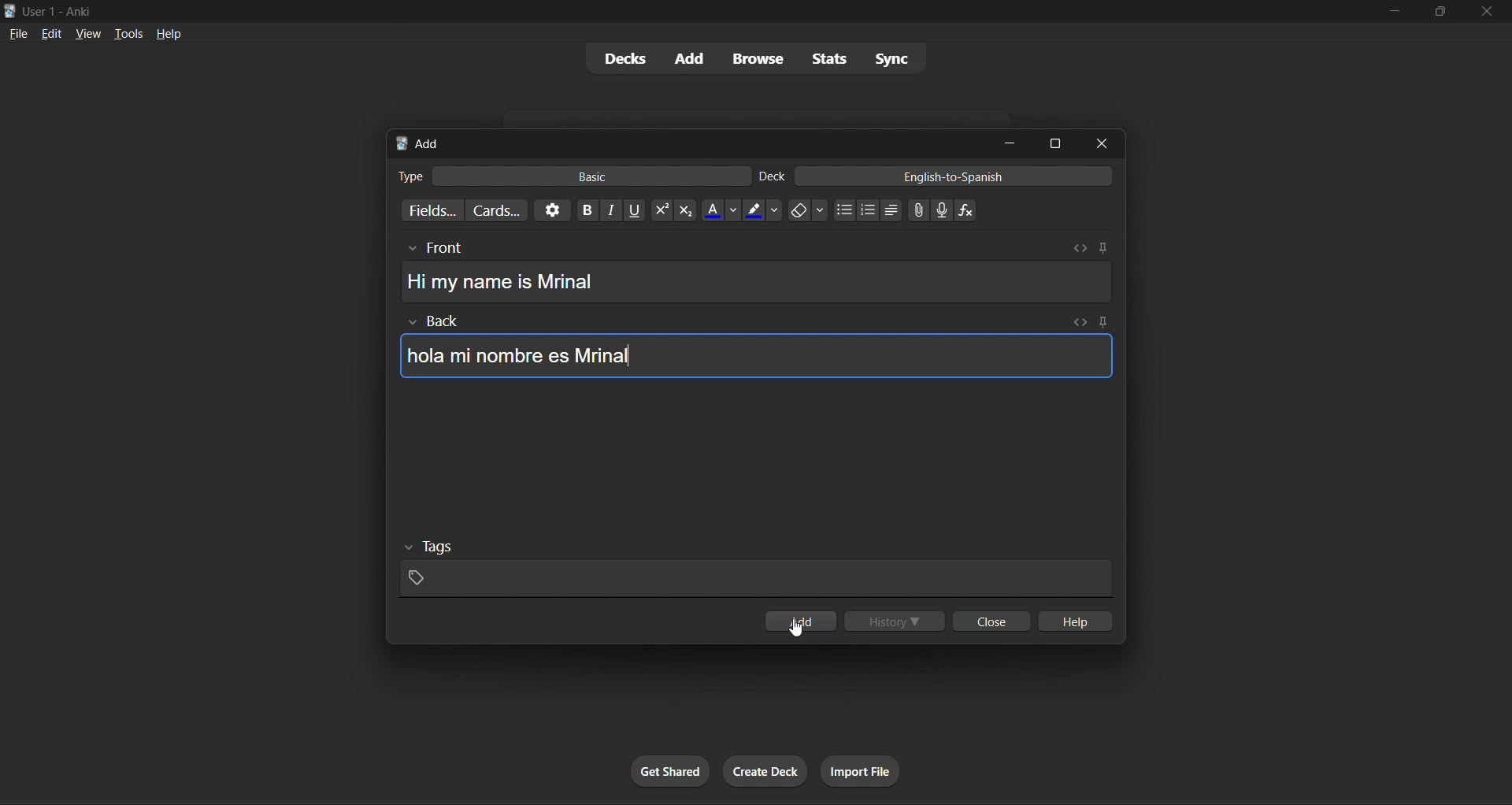 Image resolution: width=1512 pixels, height=805 pixels. I want to click on add card title bar, so click(685, 140).